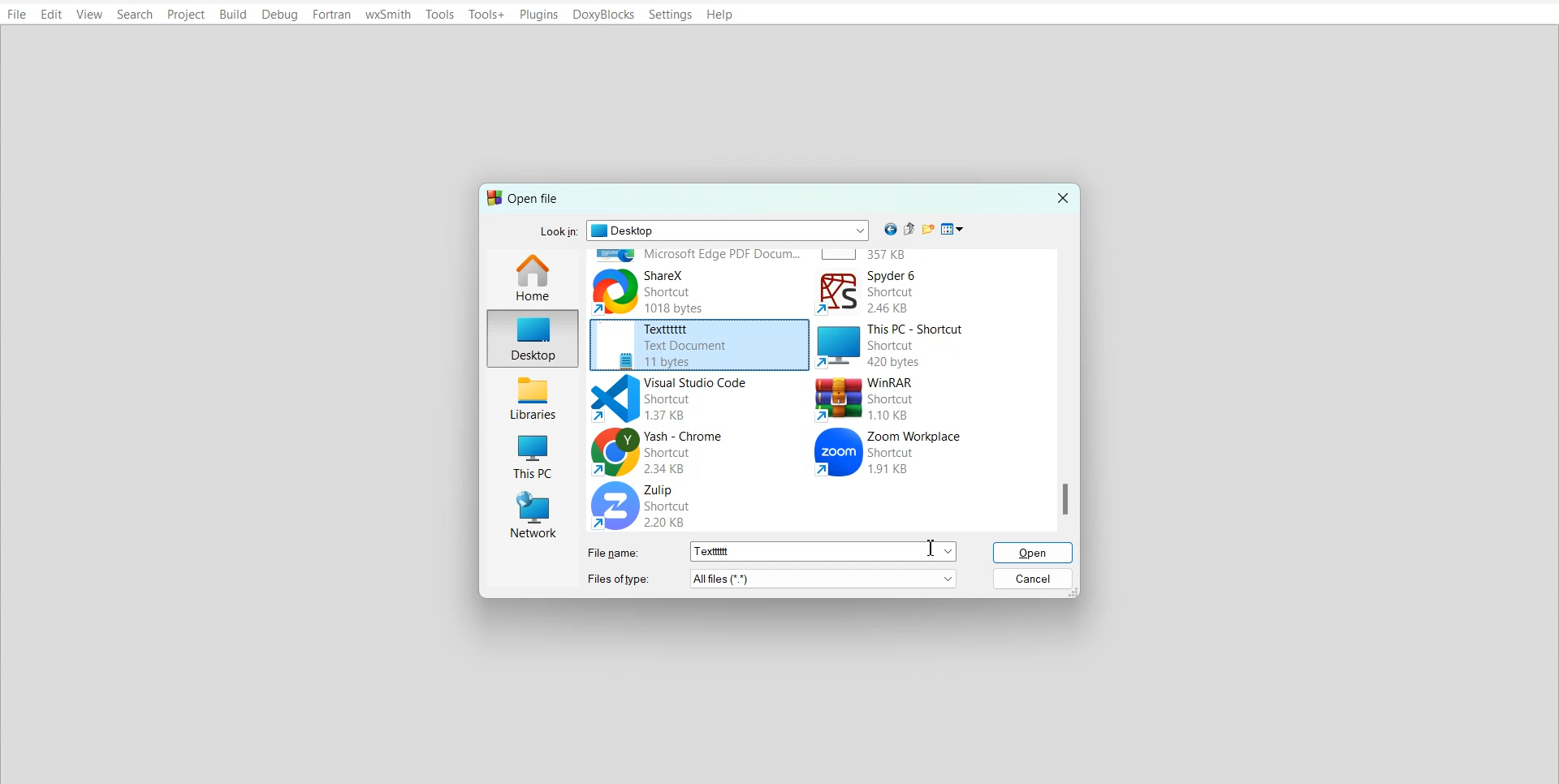  What do you see at coordinates (932, 547) in the screenshot?
I see `Text cursor` at bounding box center [932, 547].